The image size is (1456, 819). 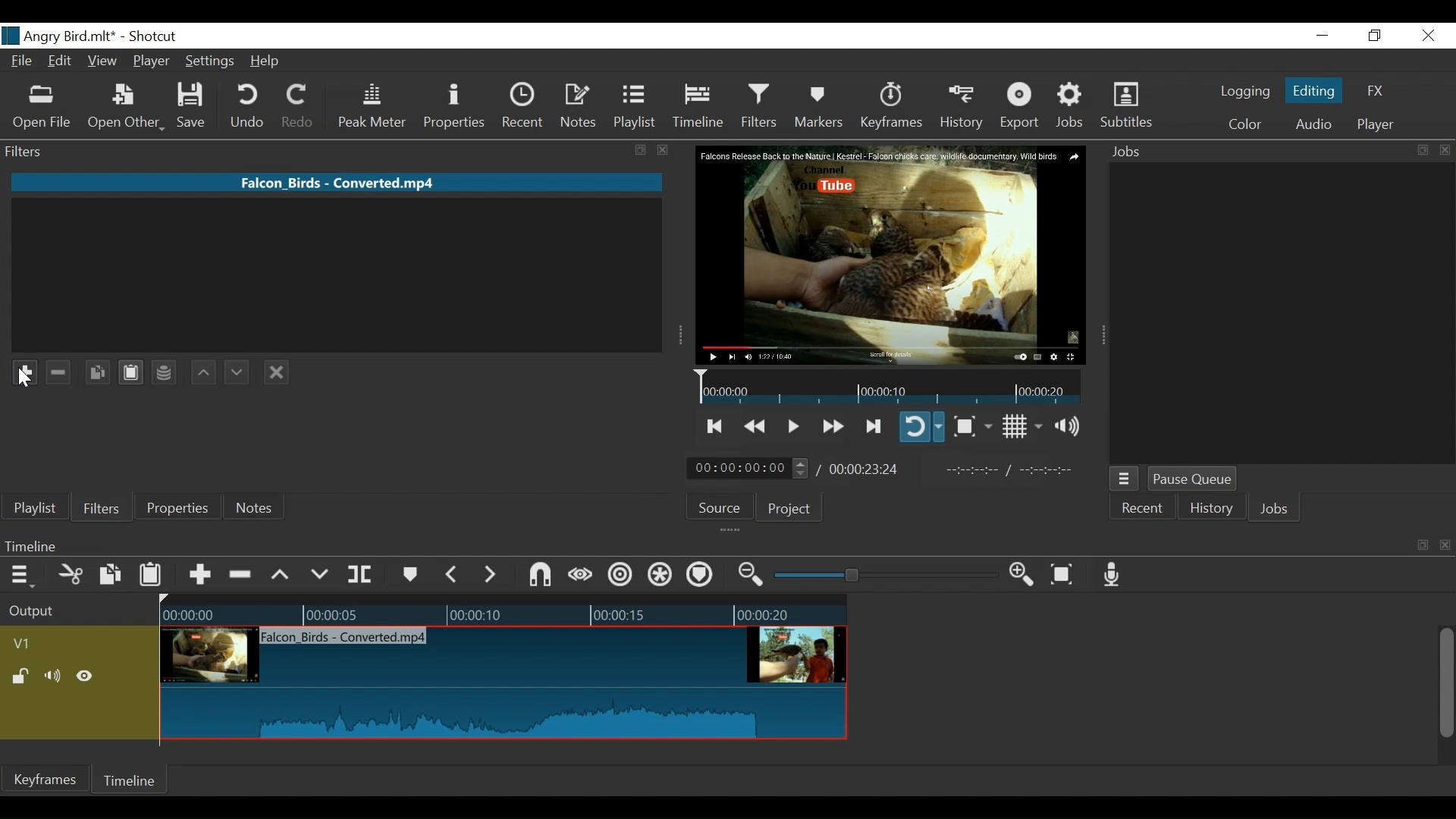 What do you see at coordinates (66, 645) in the screenshot?
I see `Video Track Name` at bounding box center [66, 645].